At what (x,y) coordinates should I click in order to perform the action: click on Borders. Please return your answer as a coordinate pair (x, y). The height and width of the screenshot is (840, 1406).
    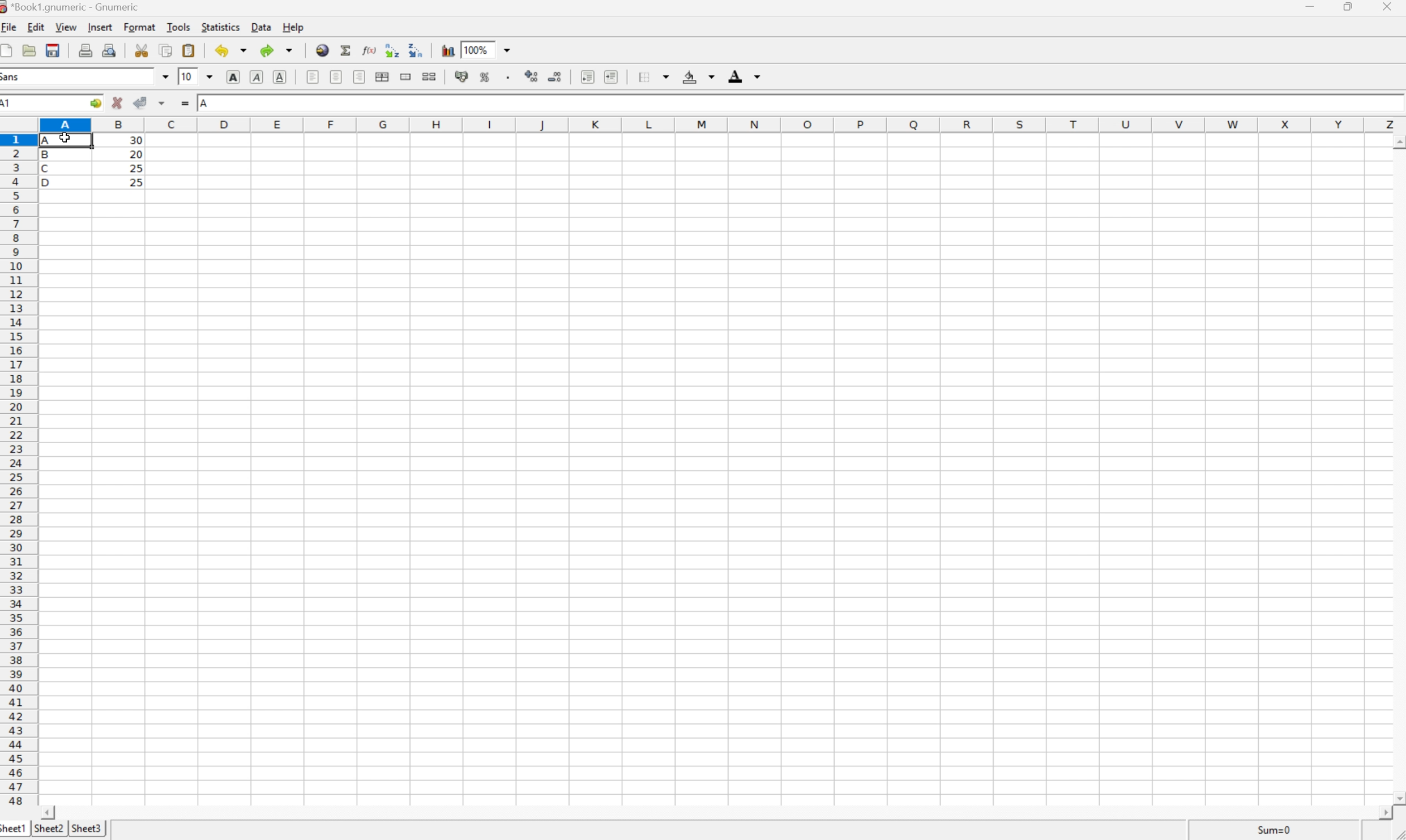
    Looking at the image, I should click on (649, 76).